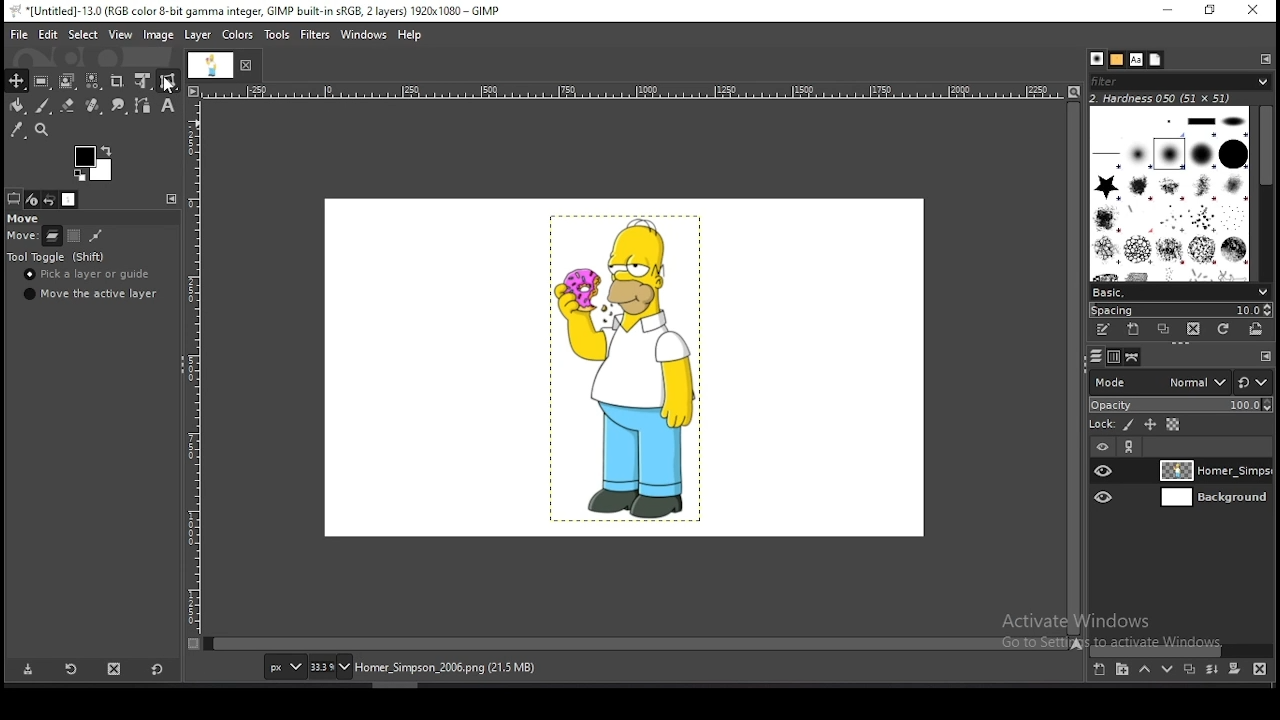 The width and height of the screenshot is (1280, 720). Describe the element at coordinates (1168, 671) in the screenshot. I see `move layer one step down` at that location.